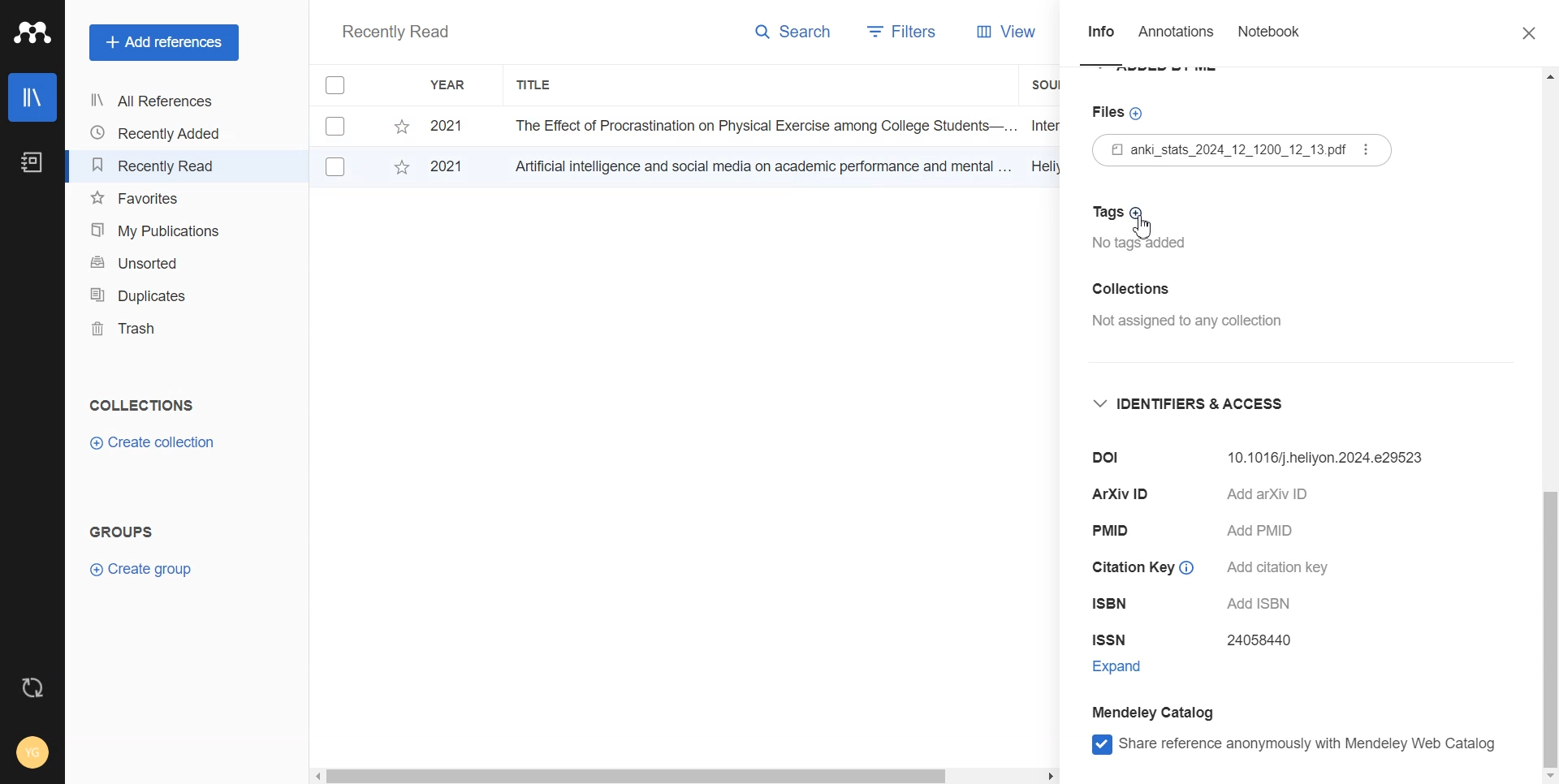 Image resolution: width=1559 pixels, height=784 pixels. I want to click on Add references, so click(164, 43).